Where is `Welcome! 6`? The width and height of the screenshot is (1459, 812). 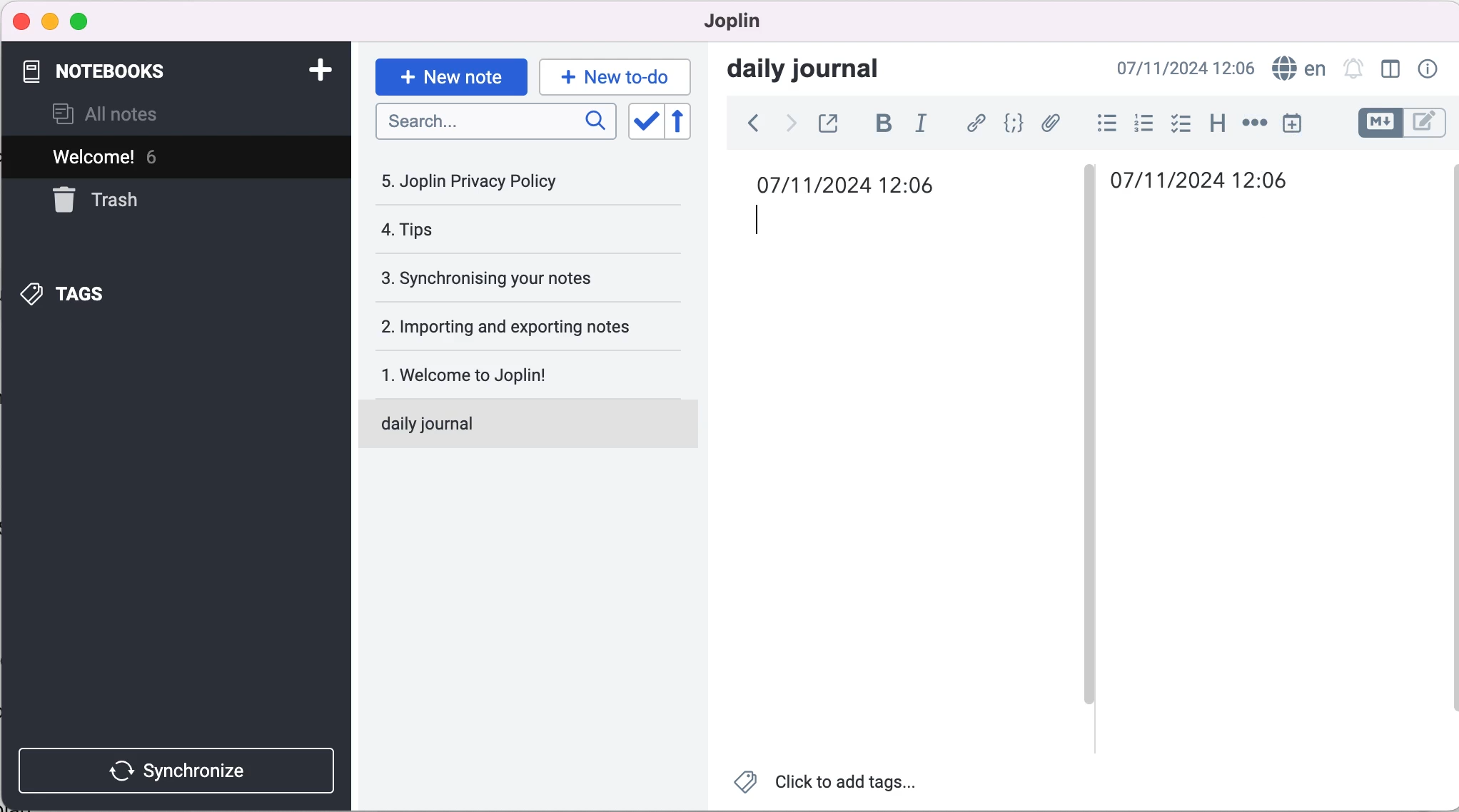
Welcome! 6 is located at coordinates (143, 159).